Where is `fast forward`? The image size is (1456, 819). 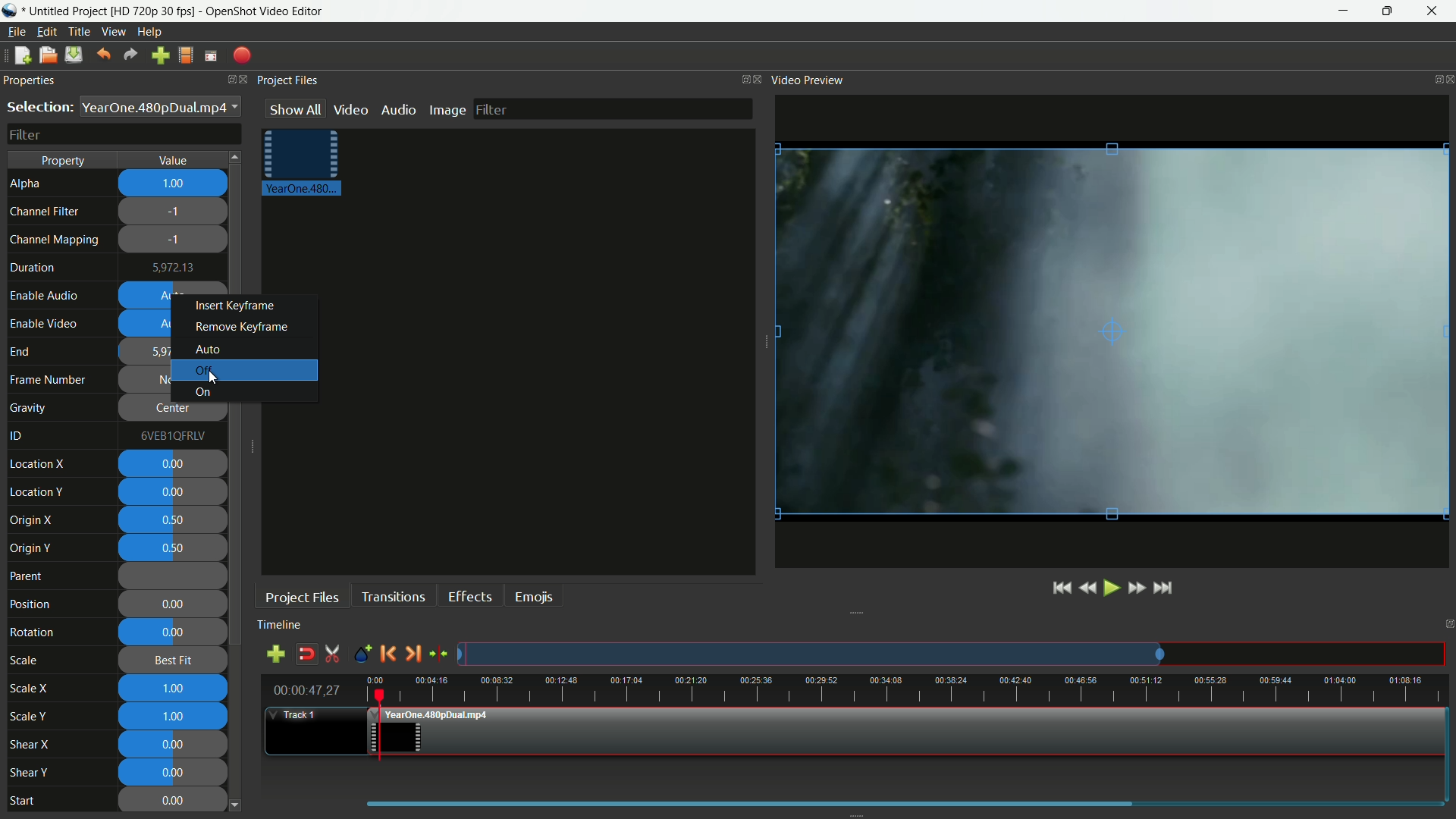
fast forward is located at coordinates (1102, 588).